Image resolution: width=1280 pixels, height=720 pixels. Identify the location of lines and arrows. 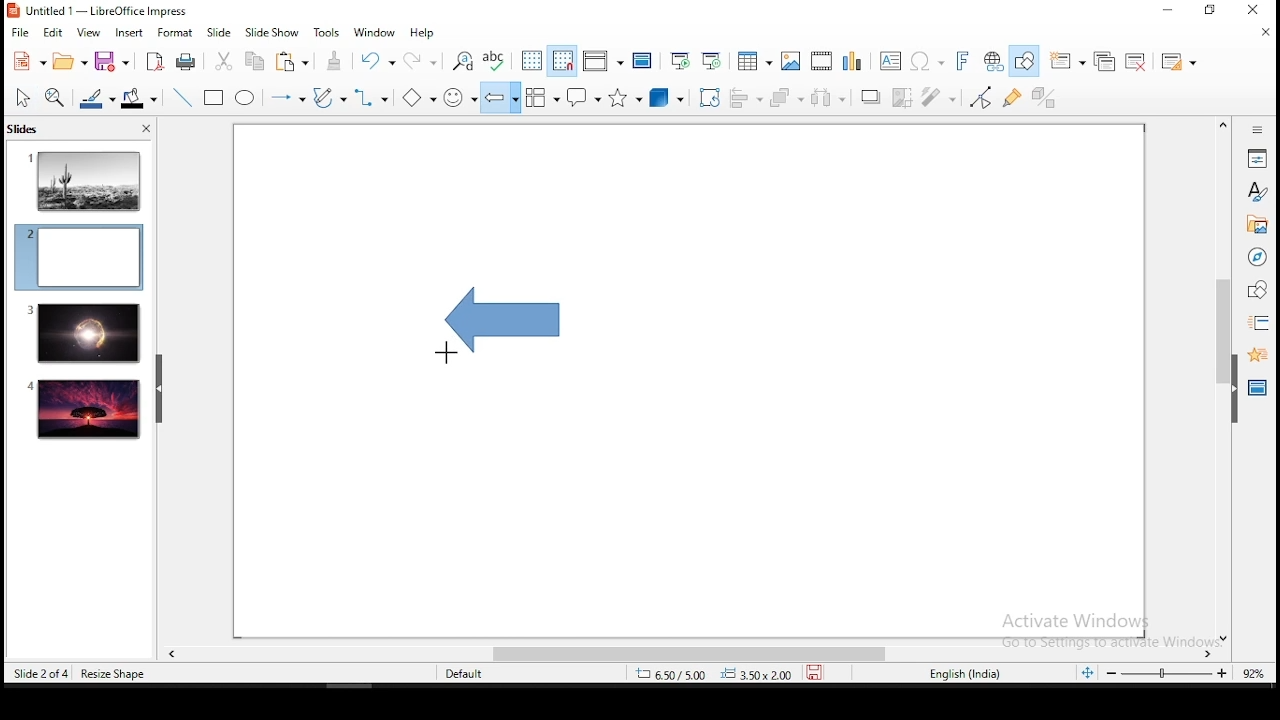
(287, 98).